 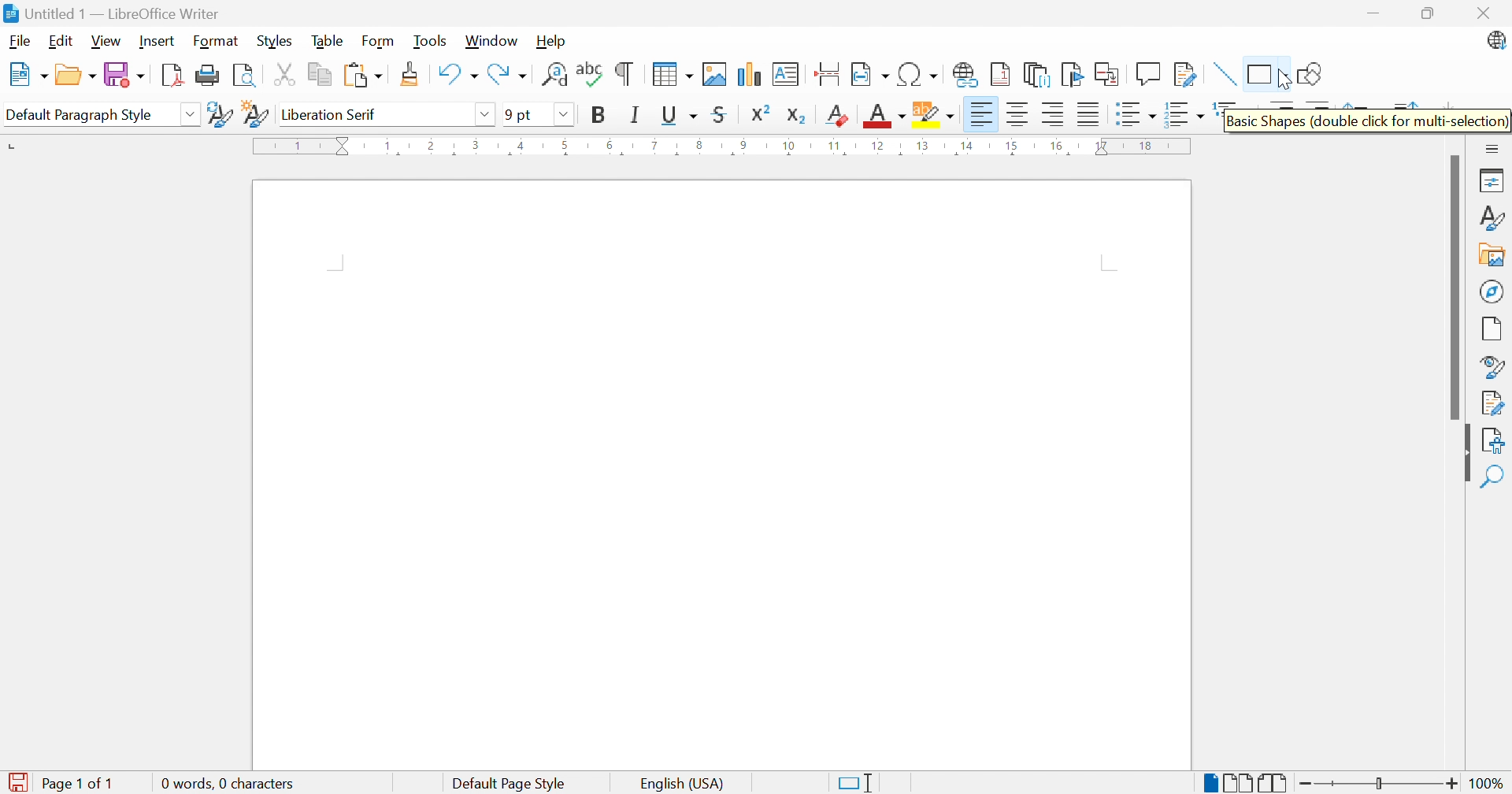 I want to click on The document has been modified. Click to save the document., so click(x=17, y=783).